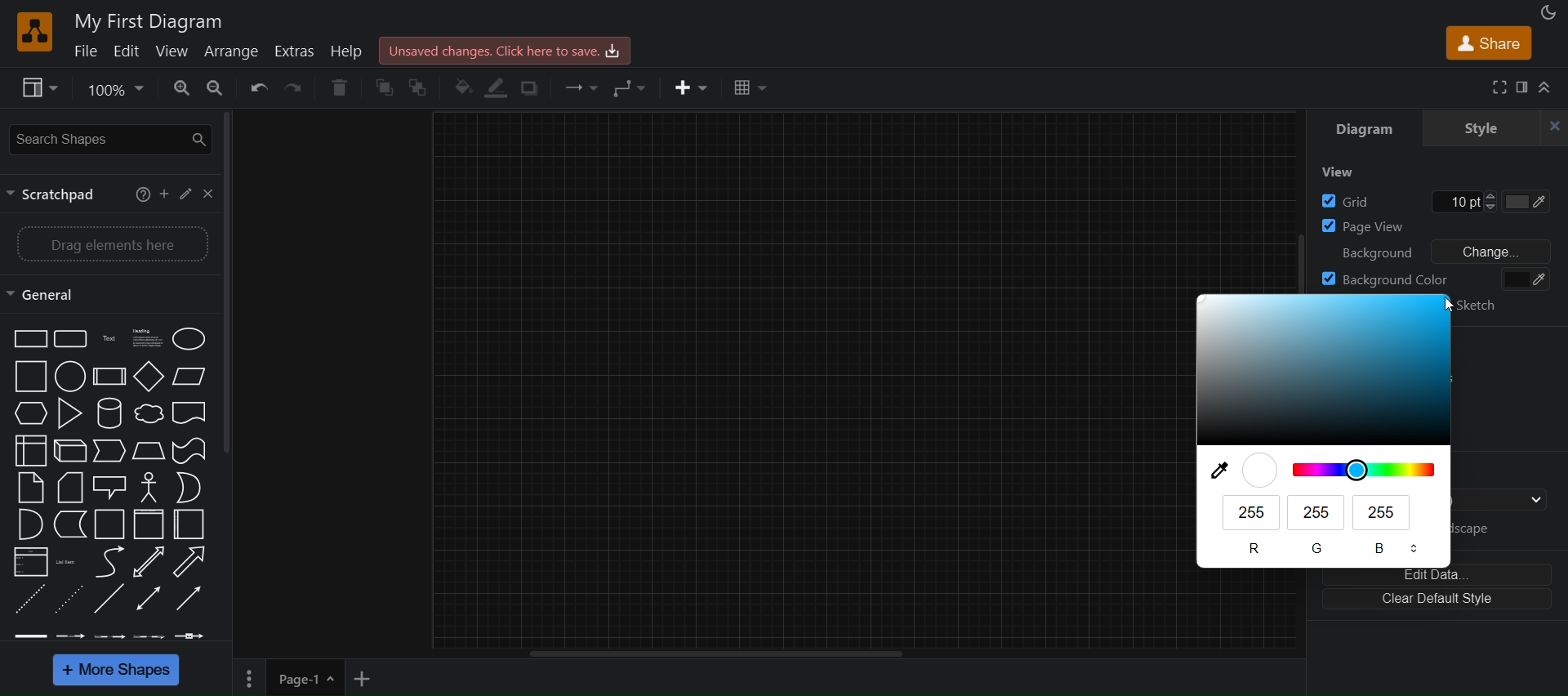 This screenshot has width=1568, height=696. Describe the element at coordinates (1445, 306) in the screenshot. I see `cursor` at that location.